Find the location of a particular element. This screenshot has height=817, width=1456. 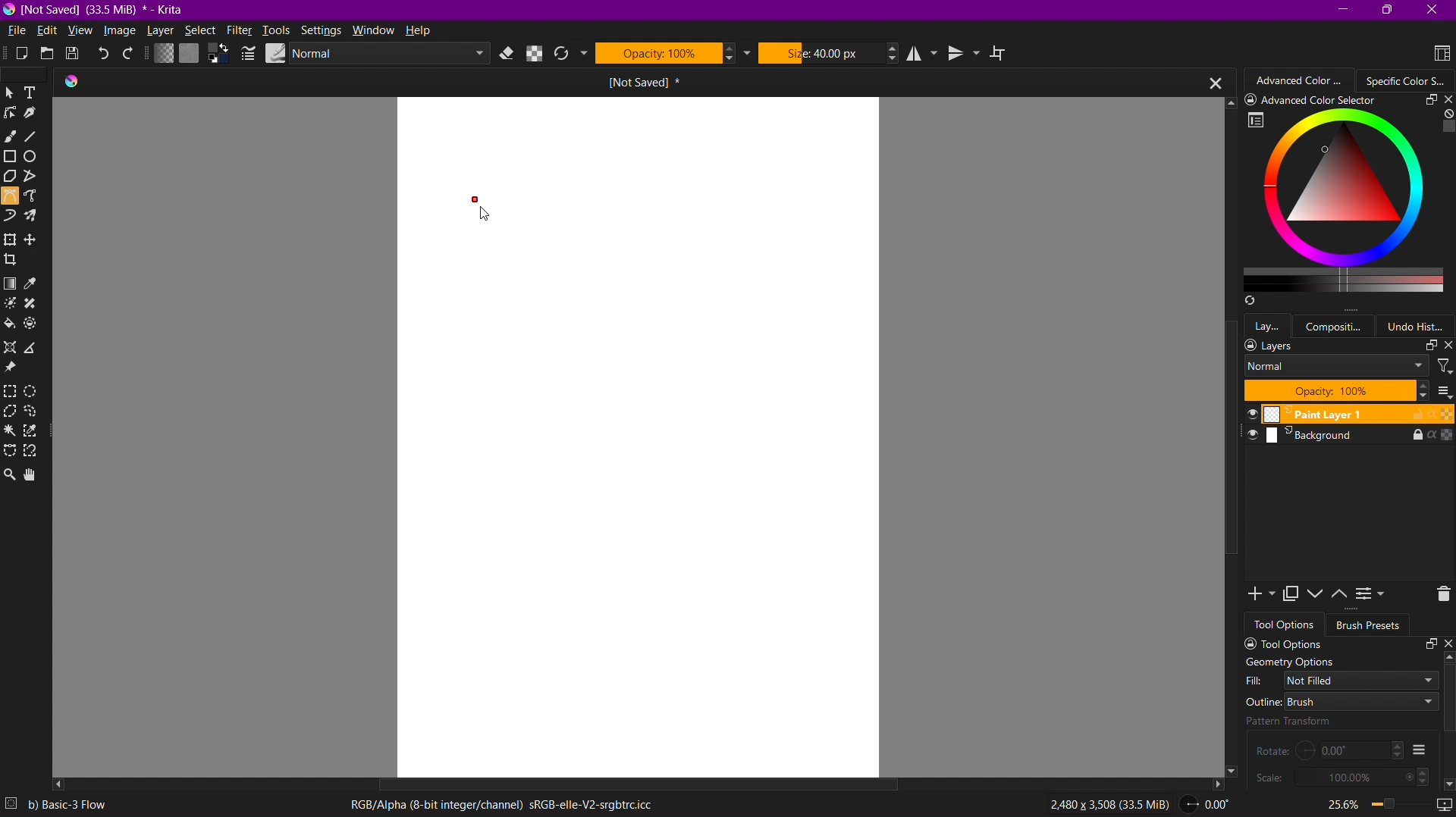

Up is located at coordinates (1447, 658).